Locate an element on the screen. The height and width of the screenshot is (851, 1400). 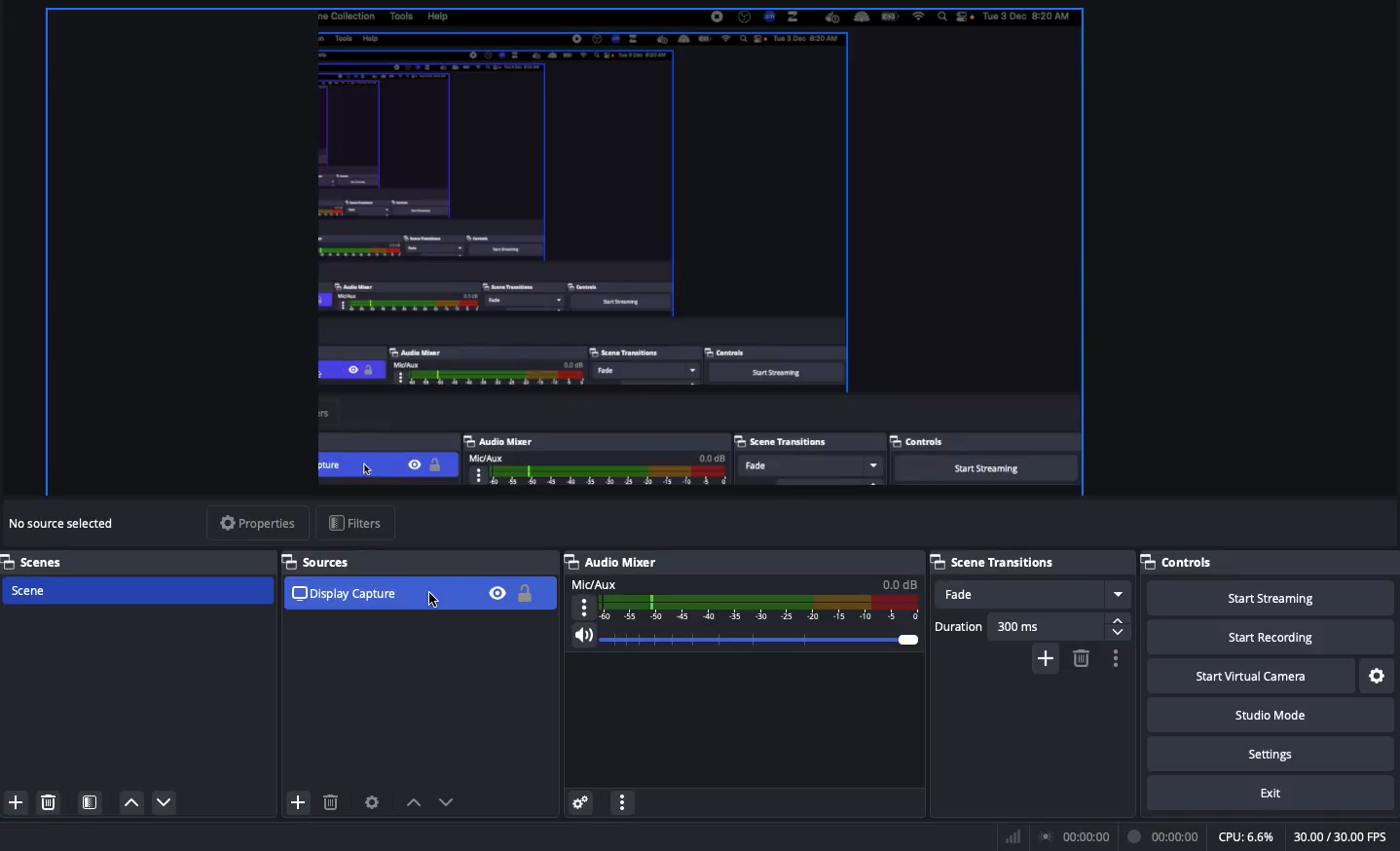
Exit is located at coordinates (1270, 795).